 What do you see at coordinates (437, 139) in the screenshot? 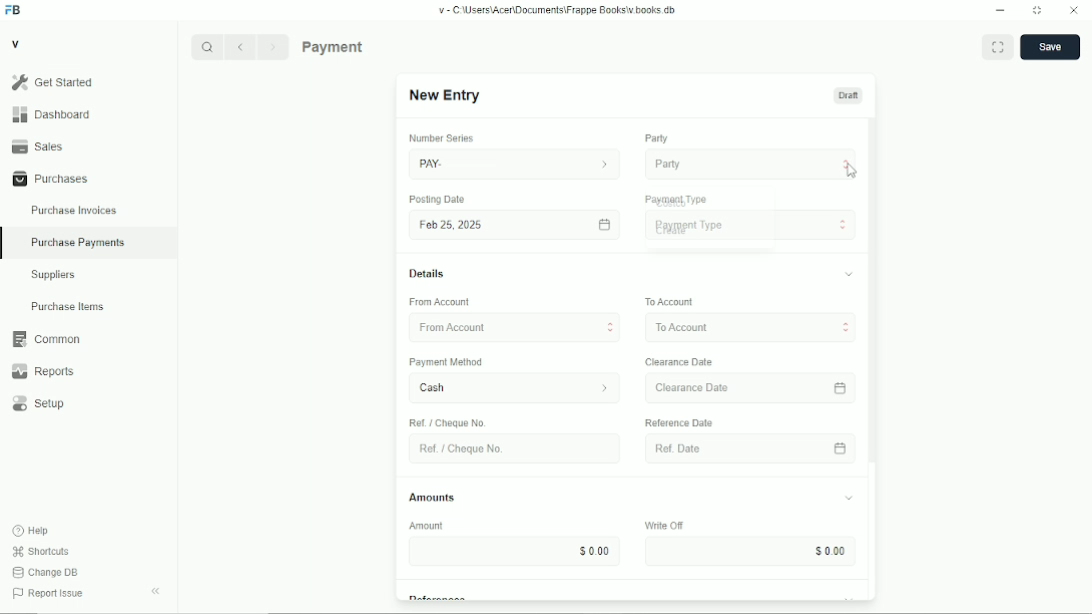
I see `number series` at bounding box center [437, 139].